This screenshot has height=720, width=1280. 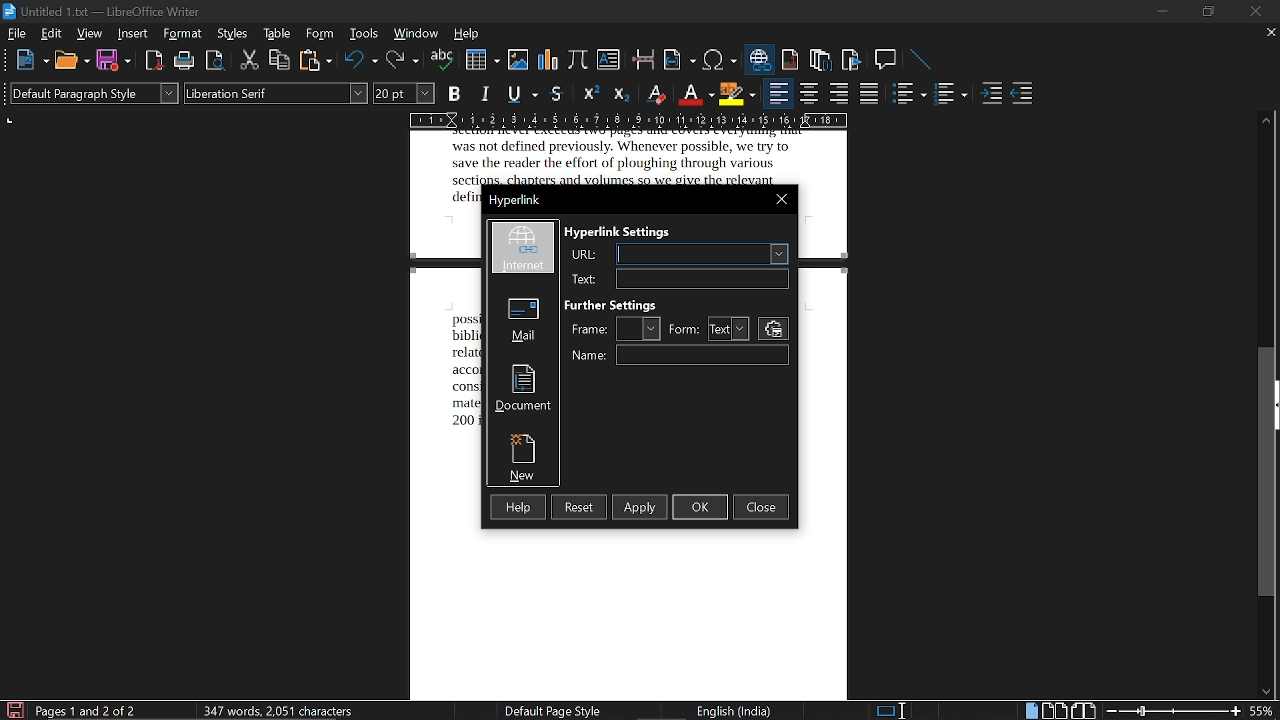 What do you see at coordinates (402, 62) in the screenshot?
I see `redo` at bounding box center [402, 62].